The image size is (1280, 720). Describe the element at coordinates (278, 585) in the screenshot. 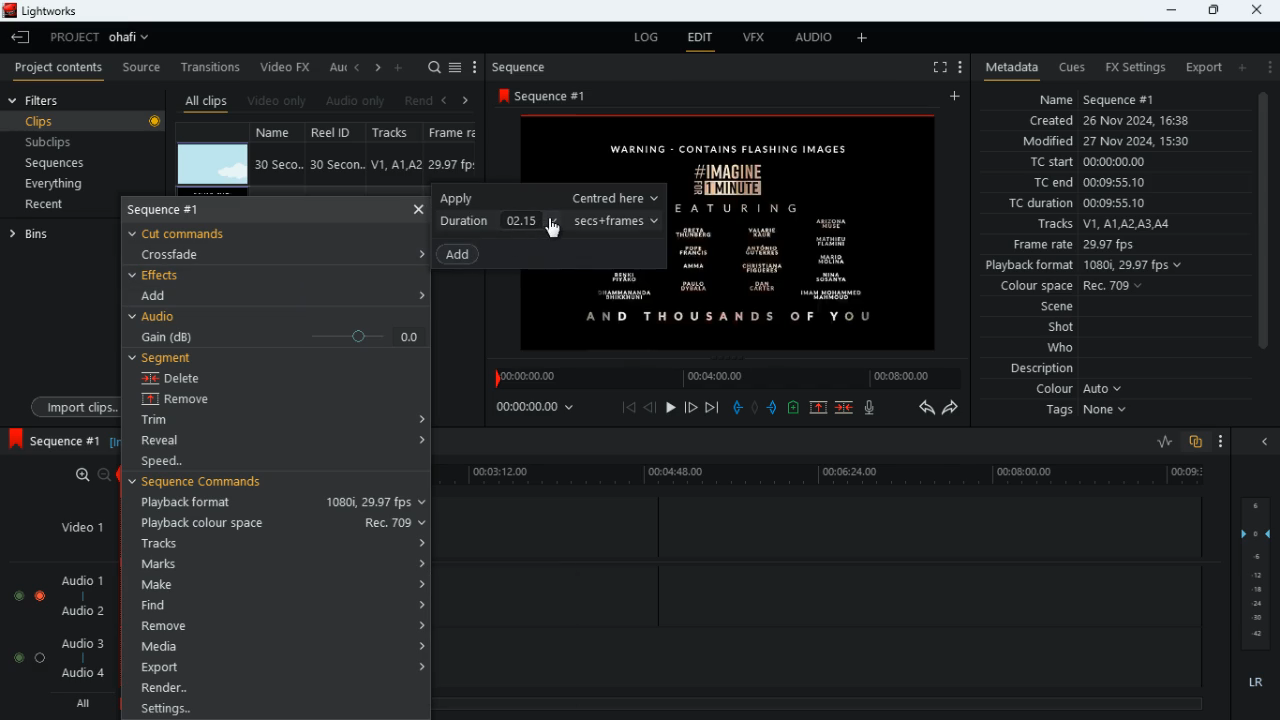

I see `make` at that location.